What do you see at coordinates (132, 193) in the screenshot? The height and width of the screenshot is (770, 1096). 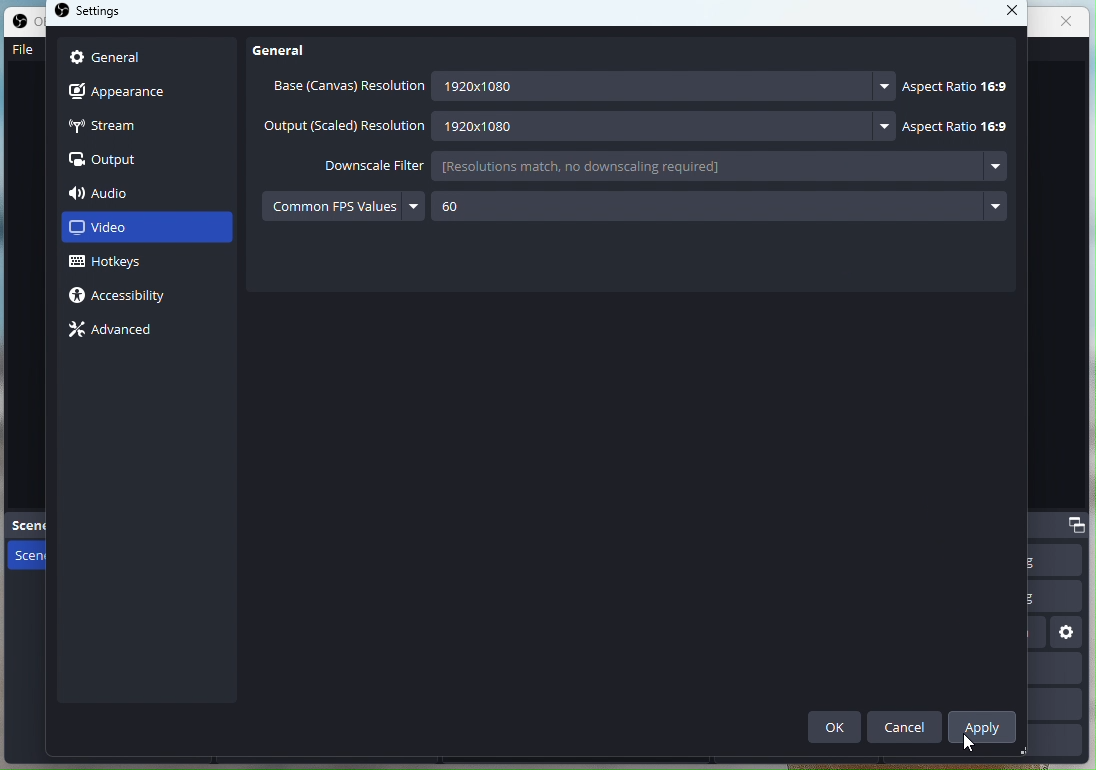 I see `Audio` at bounding box center [132, 193].